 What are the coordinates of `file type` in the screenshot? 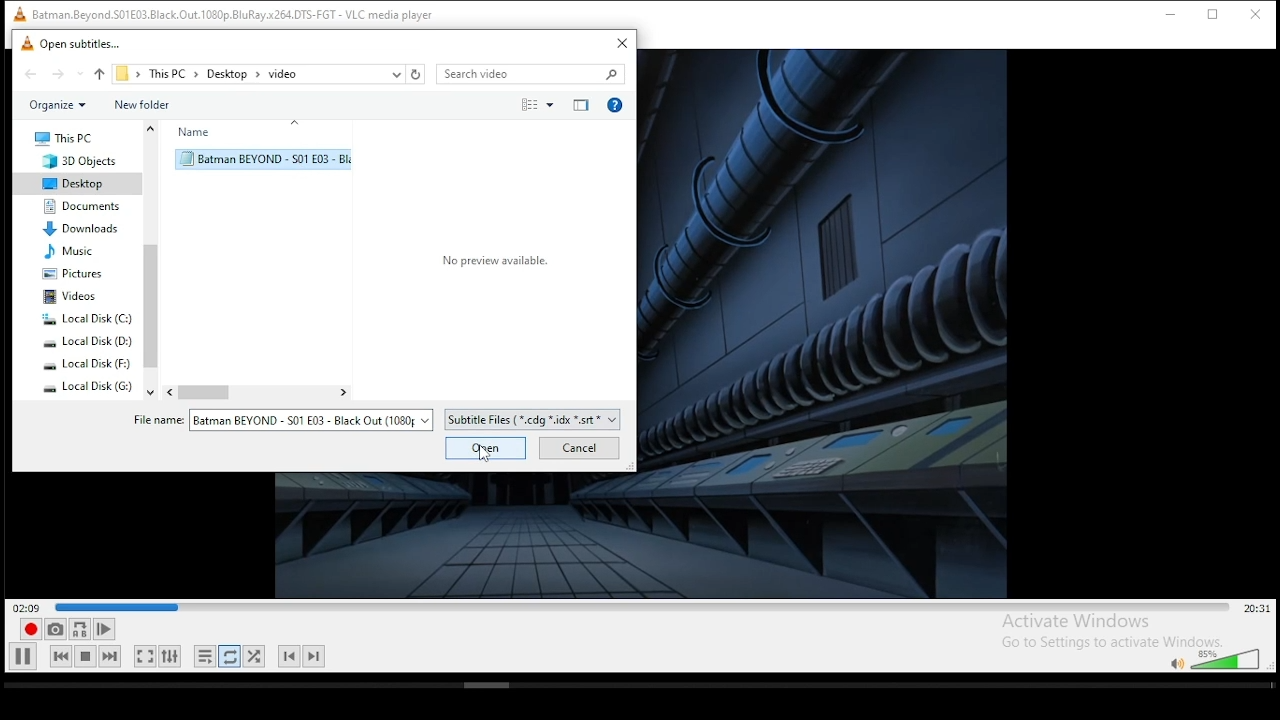 It's located at (532, 419).